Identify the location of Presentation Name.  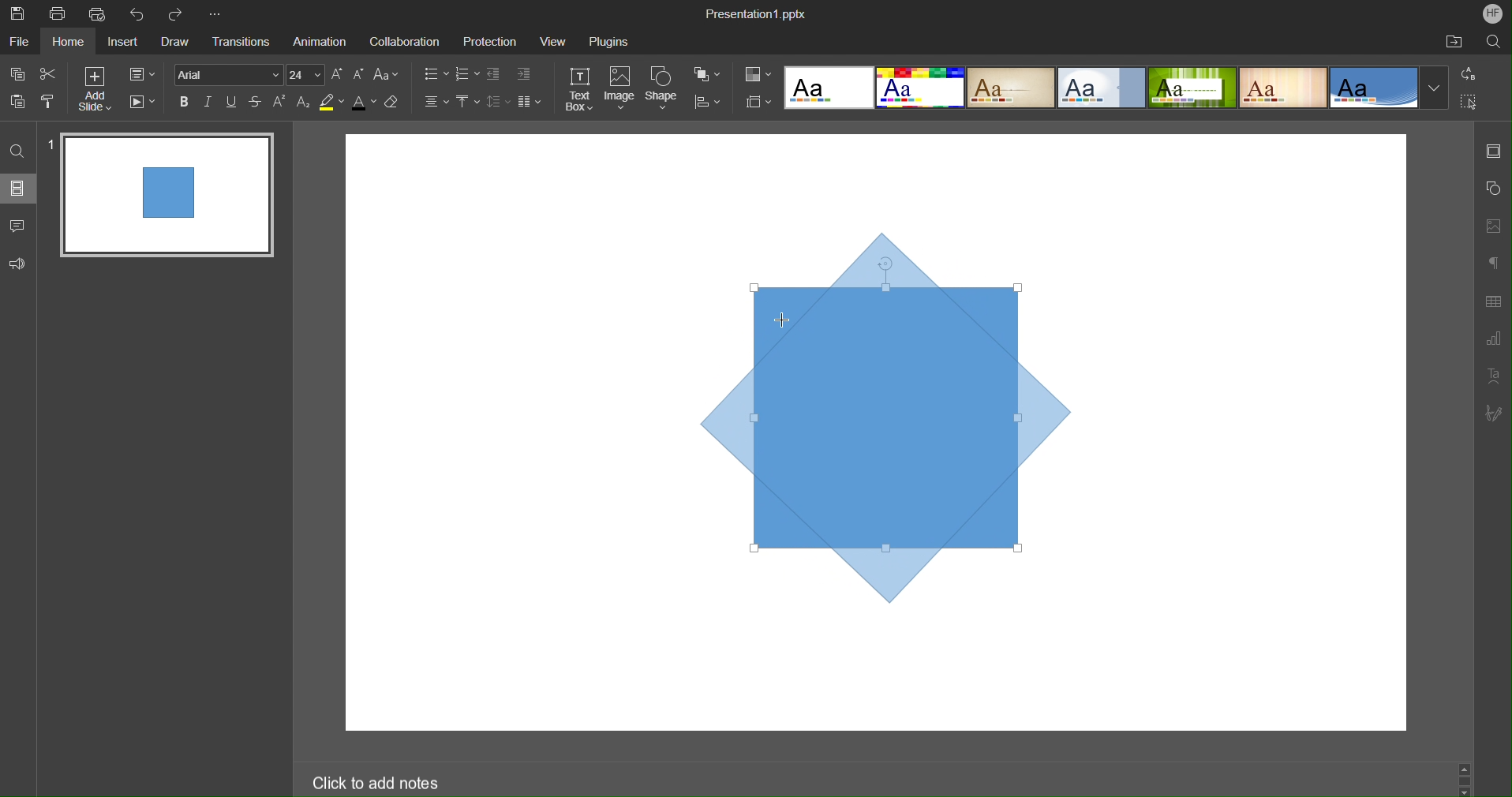
(758, 13).